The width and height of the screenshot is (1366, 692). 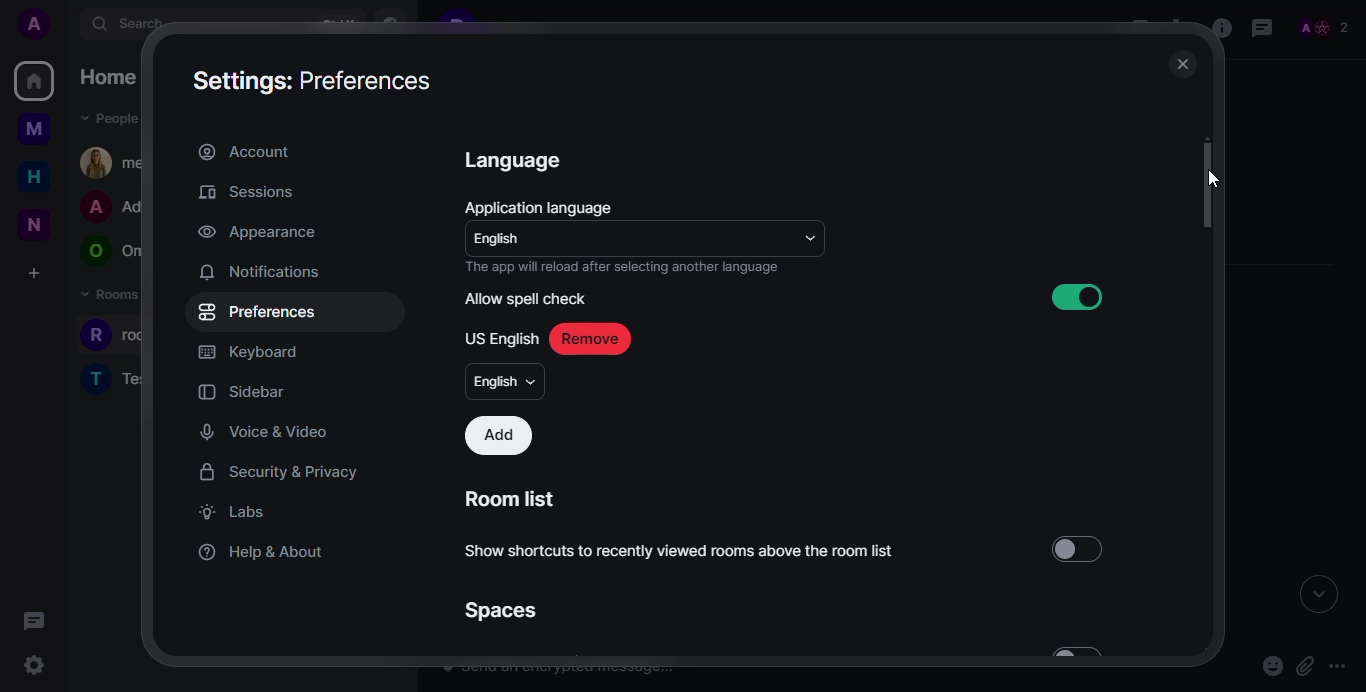 What do you see at coordinates (1072, 296) in the screenshot?
I see `Toggle button` at bounding box center [1072, 296].